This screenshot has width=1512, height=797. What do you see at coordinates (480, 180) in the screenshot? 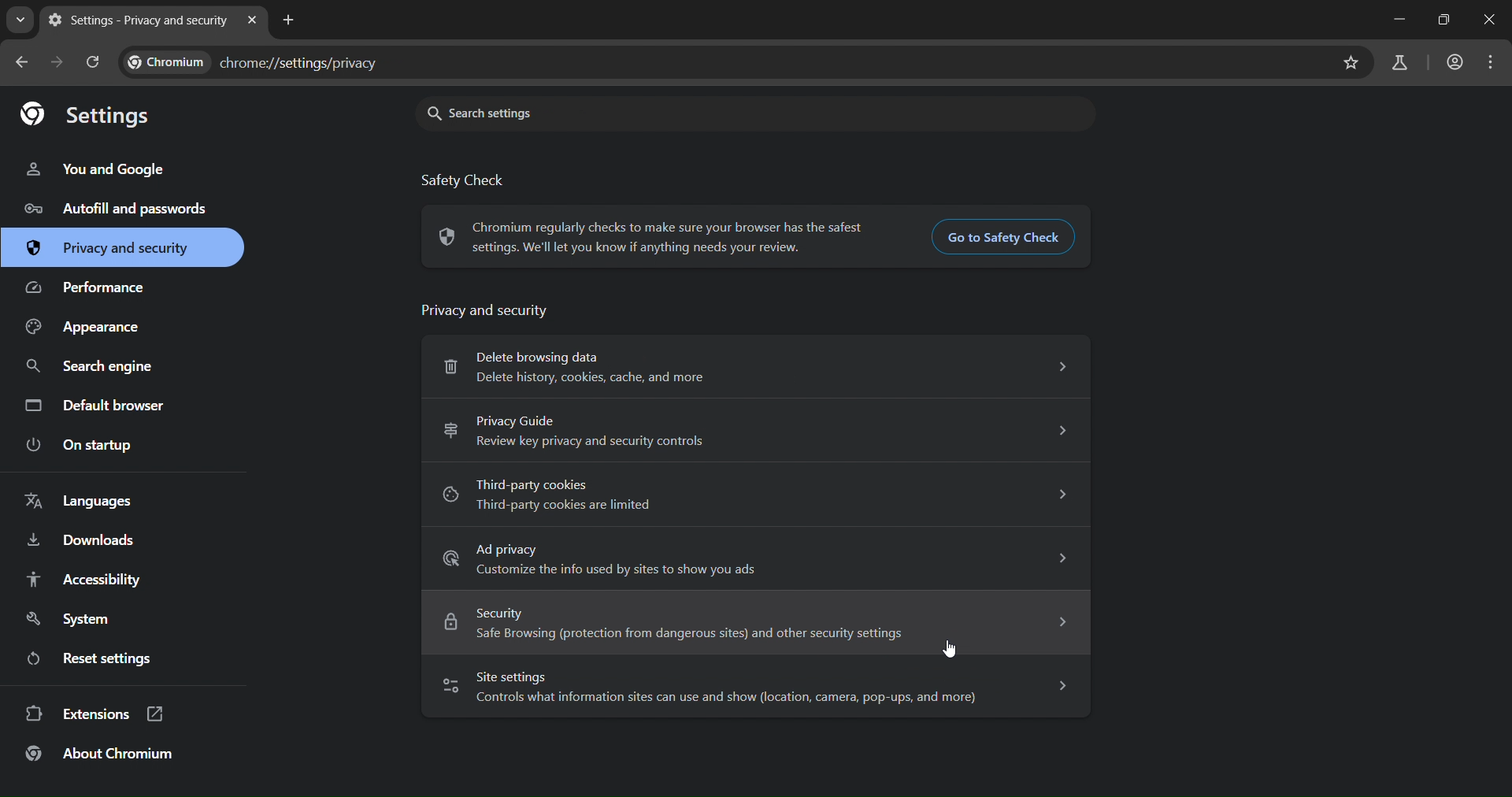
I see `Safety Check` at bounding box center [480, 180].